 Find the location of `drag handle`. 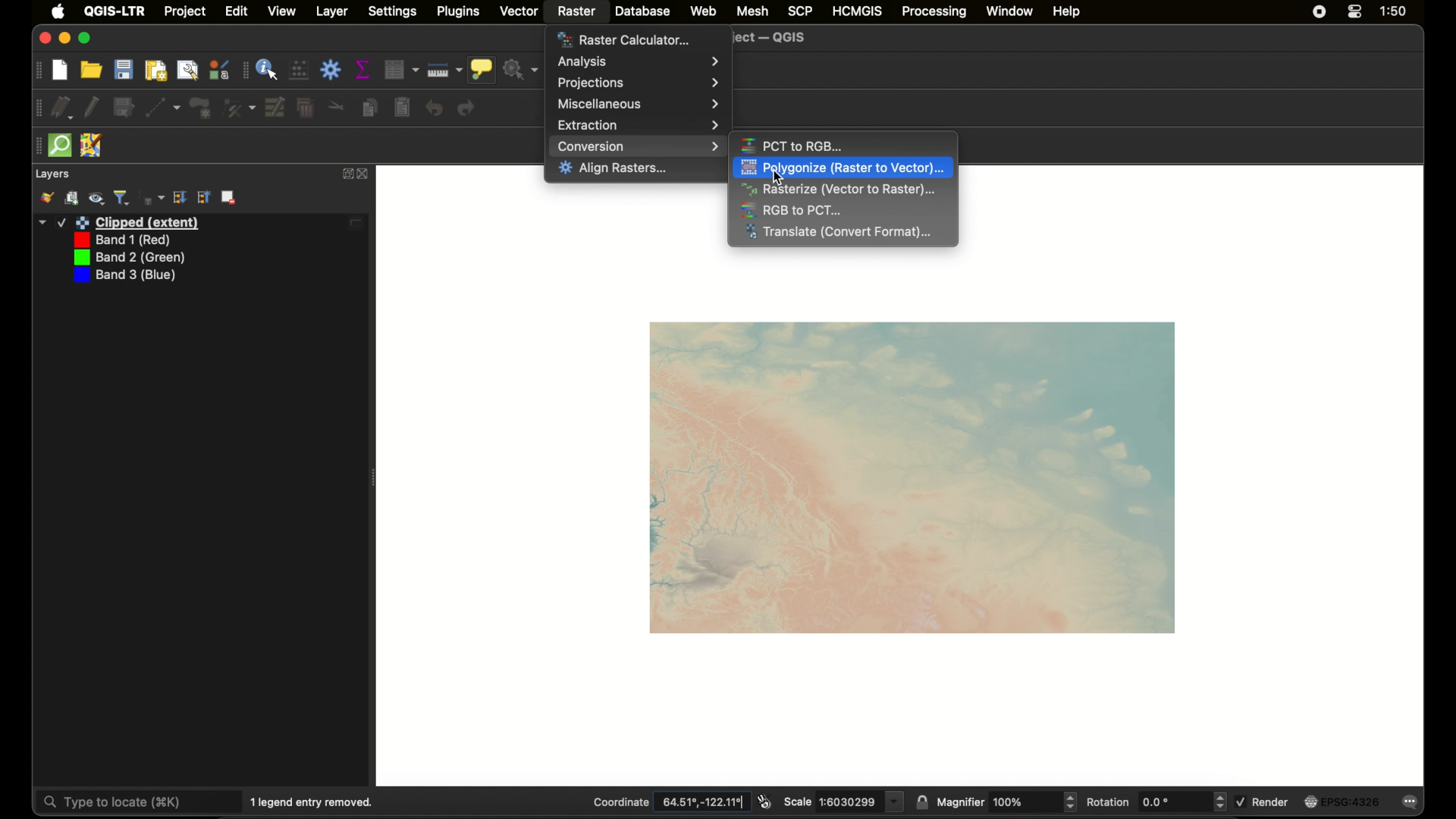

drag handle is located at coordinates (36, 146).